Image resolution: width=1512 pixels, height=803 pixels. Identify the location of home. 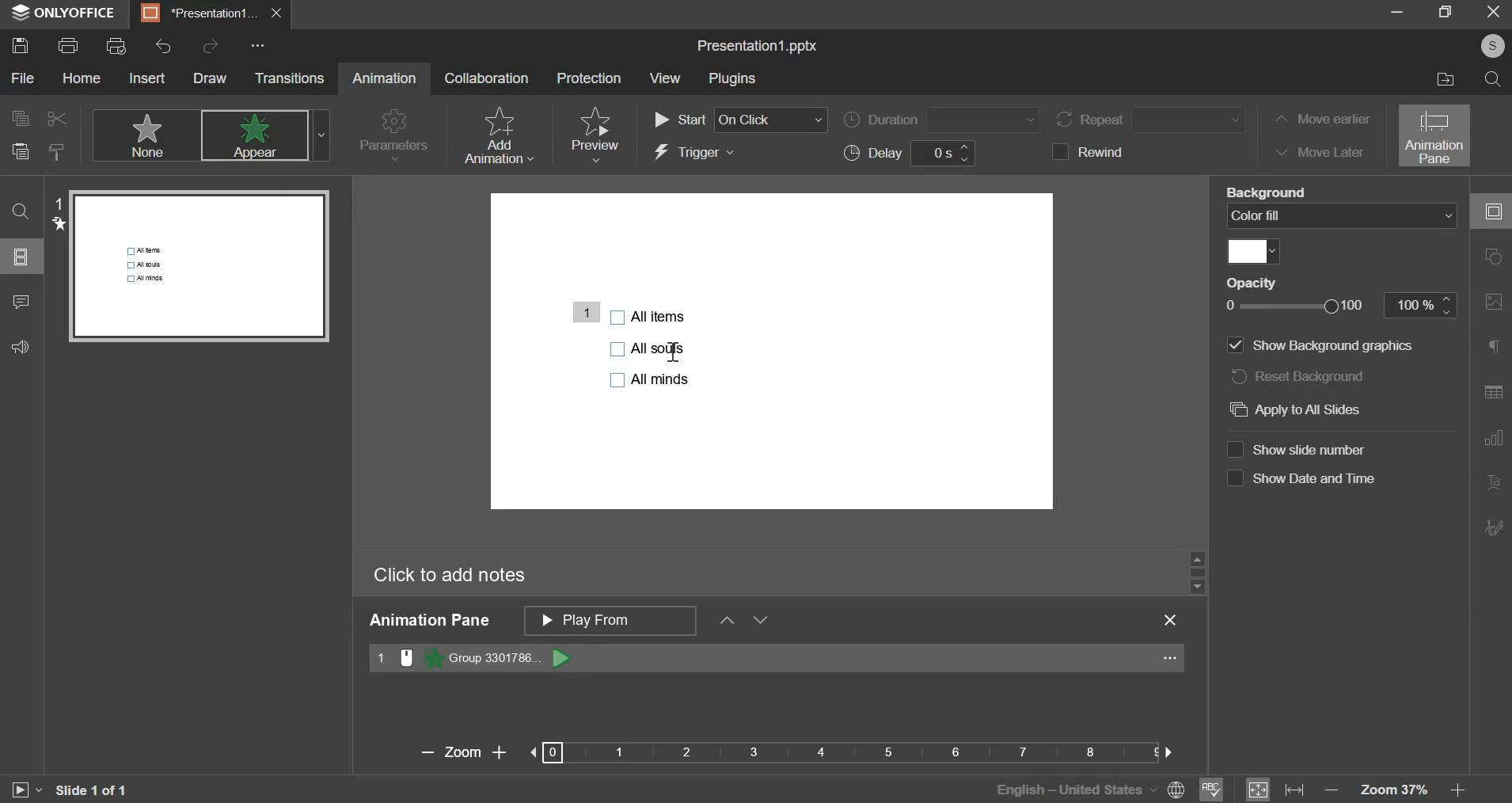
(82, 78).